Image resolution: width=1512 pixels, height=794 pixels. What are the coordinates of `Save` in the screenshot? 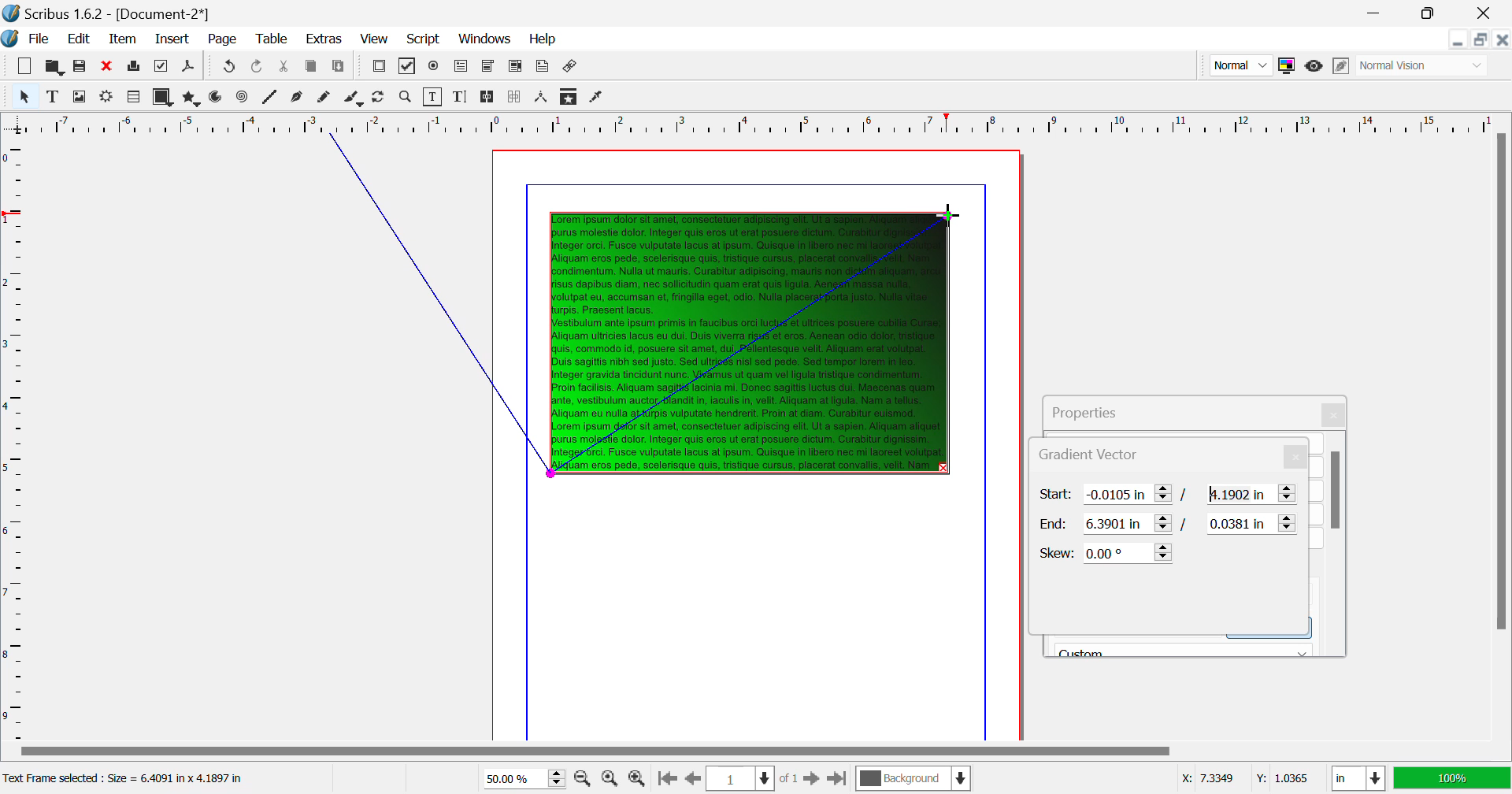 It's located at (80, 66).